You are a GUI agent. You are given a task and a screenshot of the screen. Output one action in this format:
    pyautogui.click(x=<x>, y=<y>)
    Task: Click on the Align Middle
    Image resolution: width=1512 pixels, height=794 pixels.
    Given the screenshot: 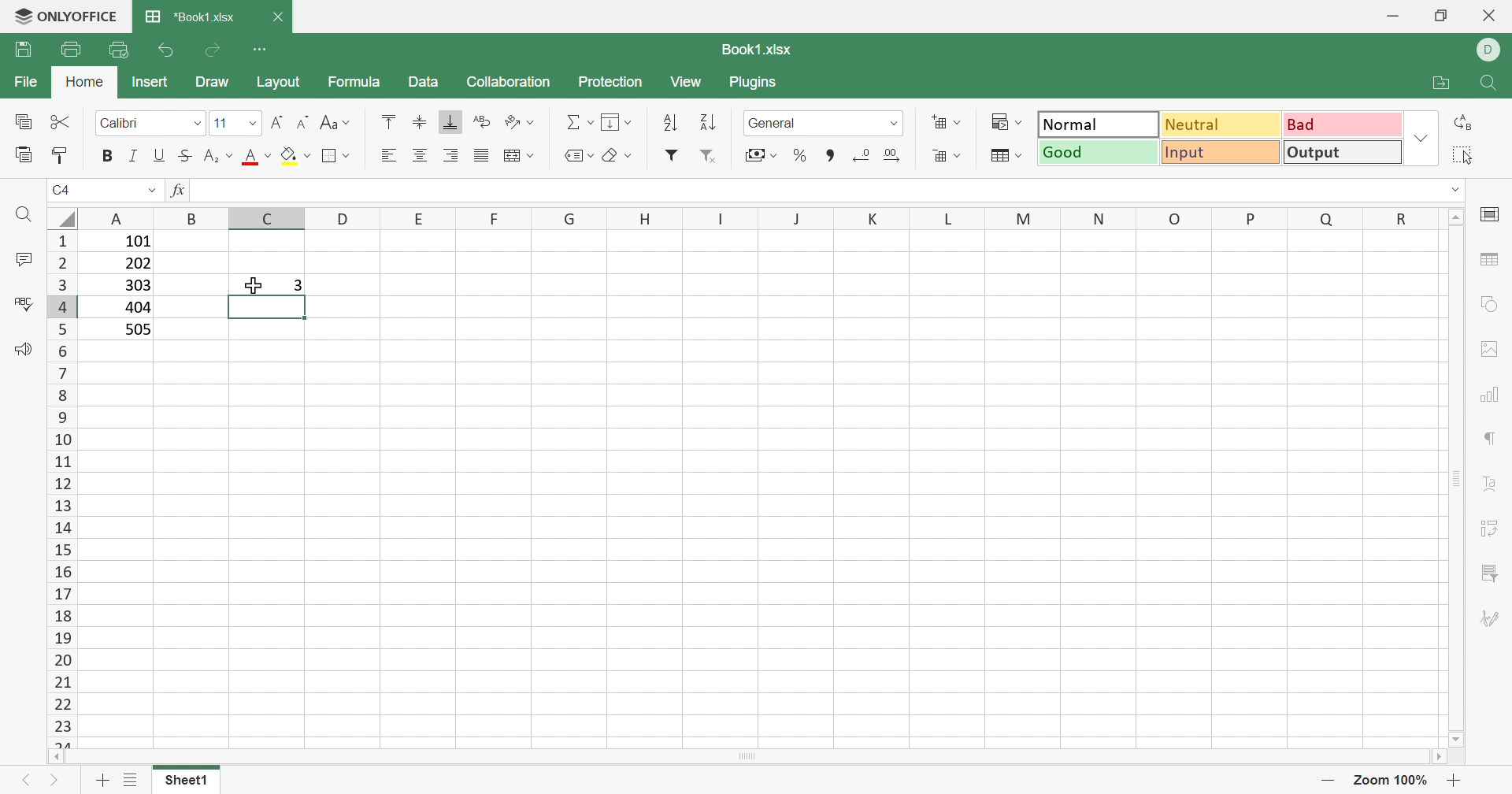 What is the action you would take?
    pyautogui.click(x=418, y=123)
    